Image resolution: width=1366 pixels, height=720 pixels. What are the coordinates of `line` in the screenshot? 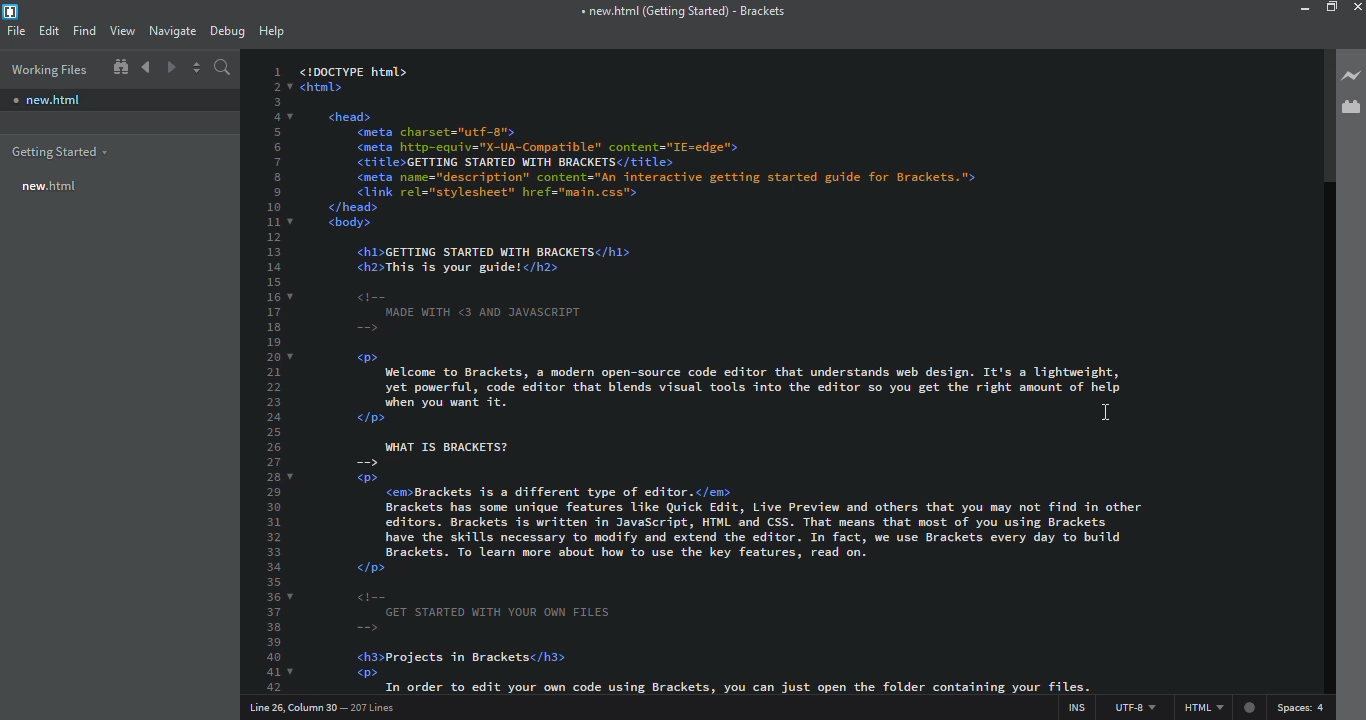 It's located at (327, 707).